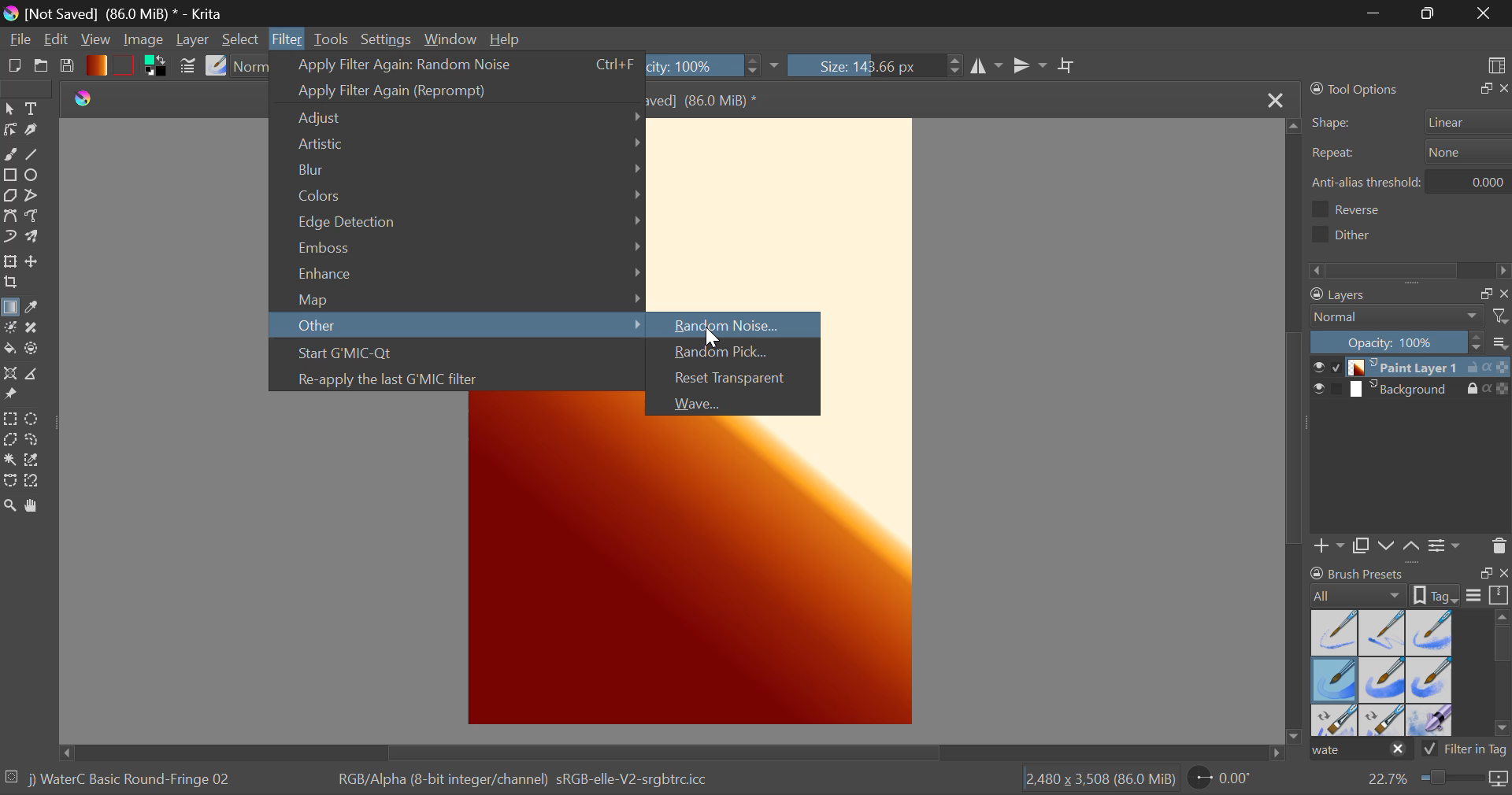 The image size is (1512, 795). What do you see at coordinates (459, 380) in the screenshot?
I see `Re-apply the last GMIC filter` at bounding box center [459, 380].